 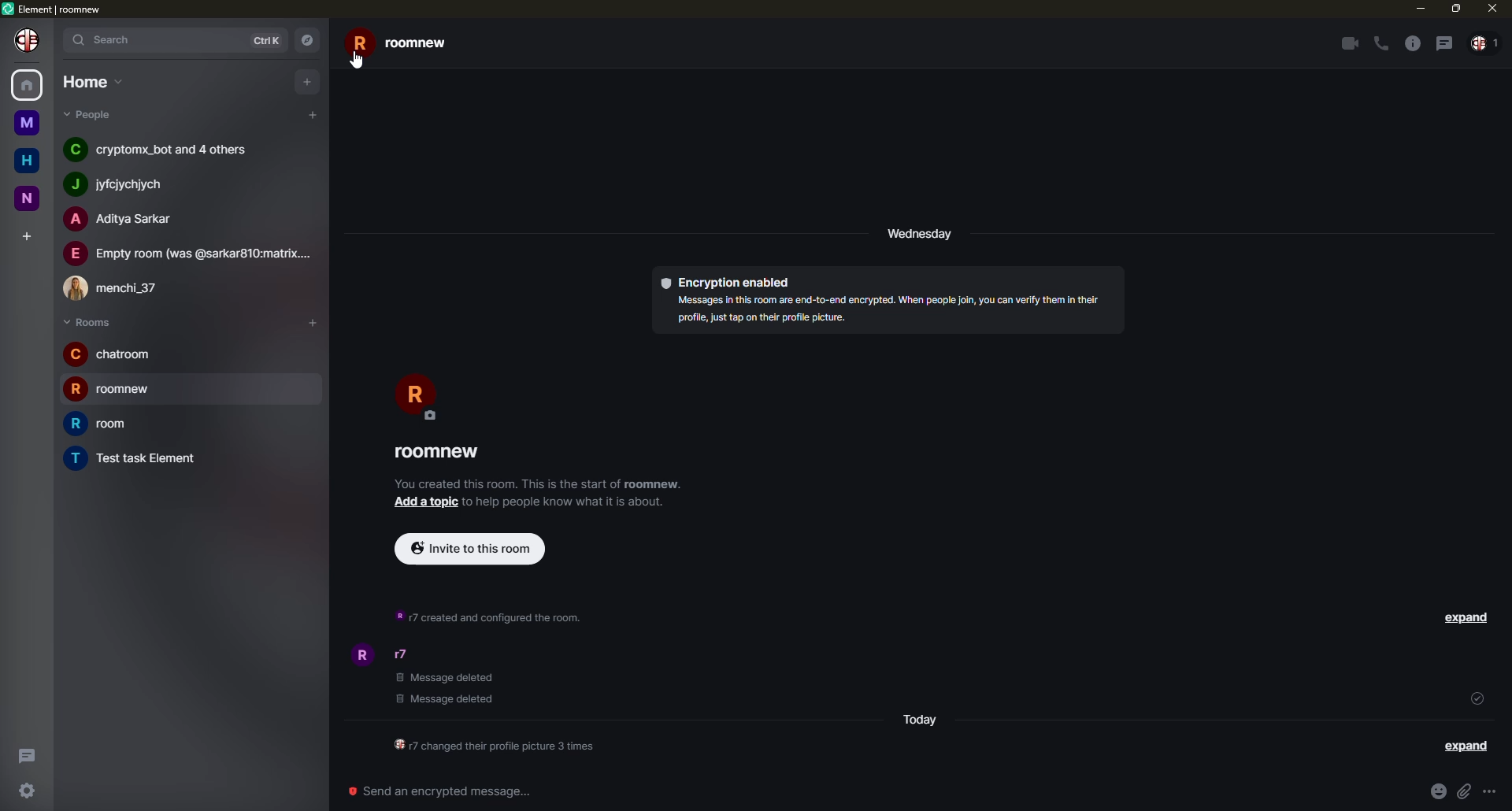 I want to click on people, so click(x=119, y=288).